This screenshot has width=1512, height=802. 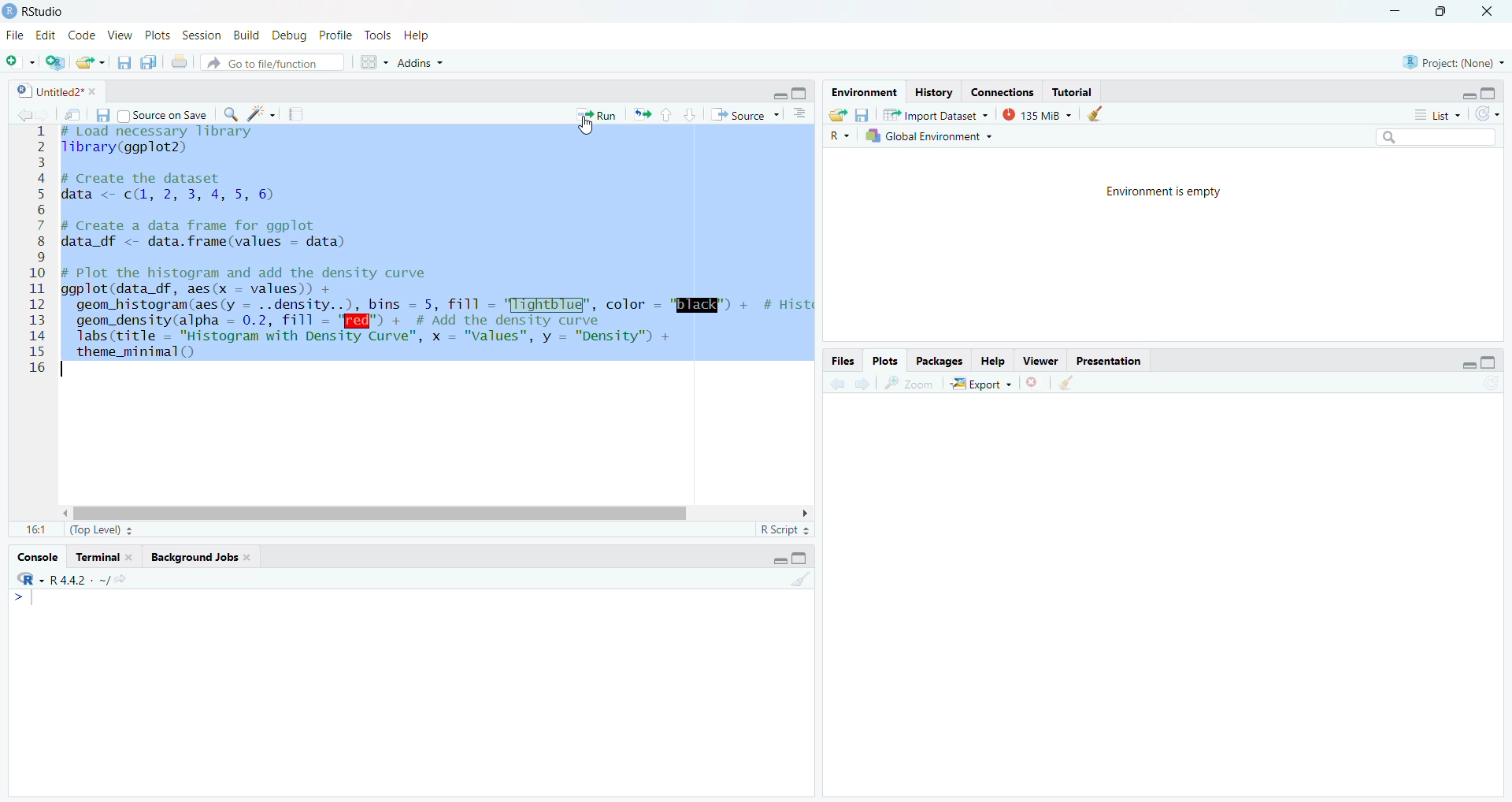 I want to click on view the current working directory, so click(x=122, y=578).